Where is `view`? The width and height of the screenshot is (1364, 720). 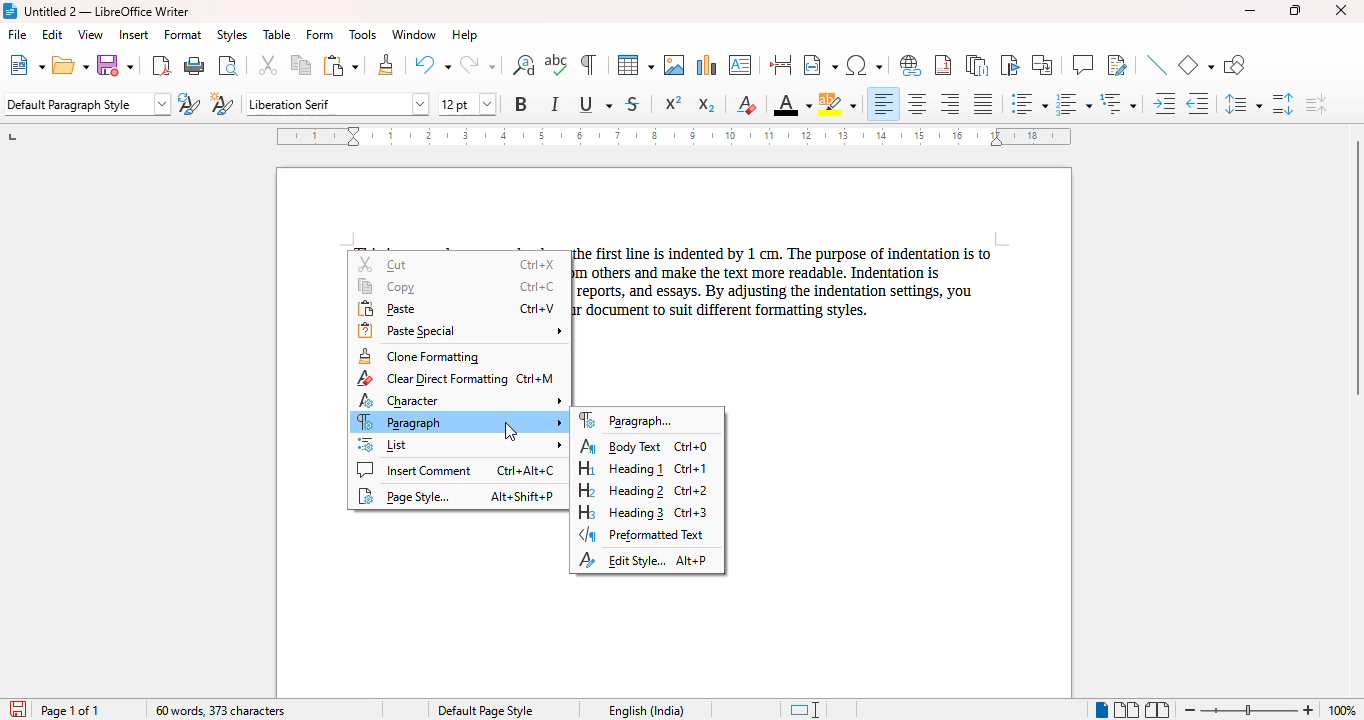 view is located at coordinates (90, 34).